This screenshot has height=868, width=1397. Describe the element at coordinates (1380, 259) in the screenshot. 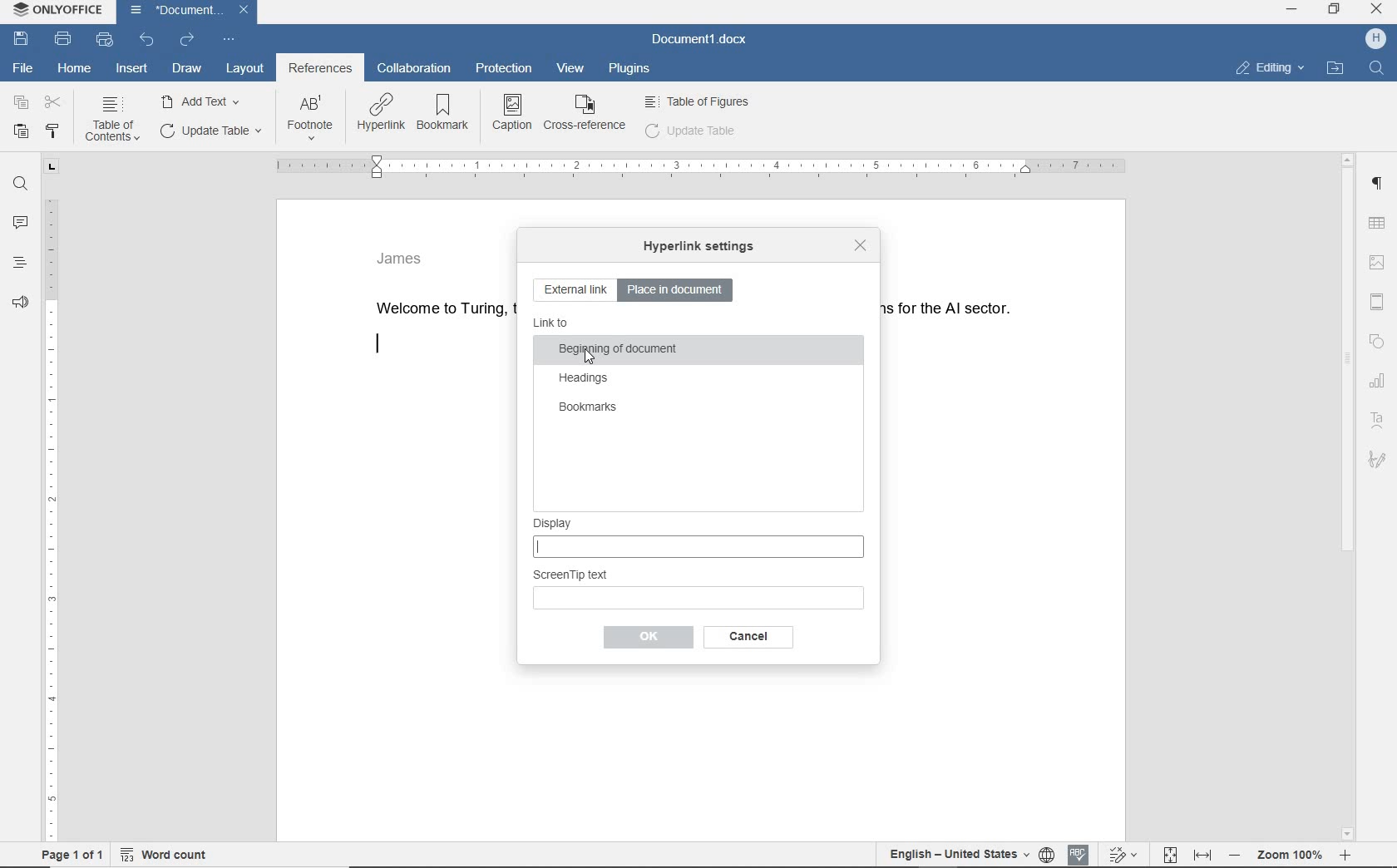

I see `image` at that location.